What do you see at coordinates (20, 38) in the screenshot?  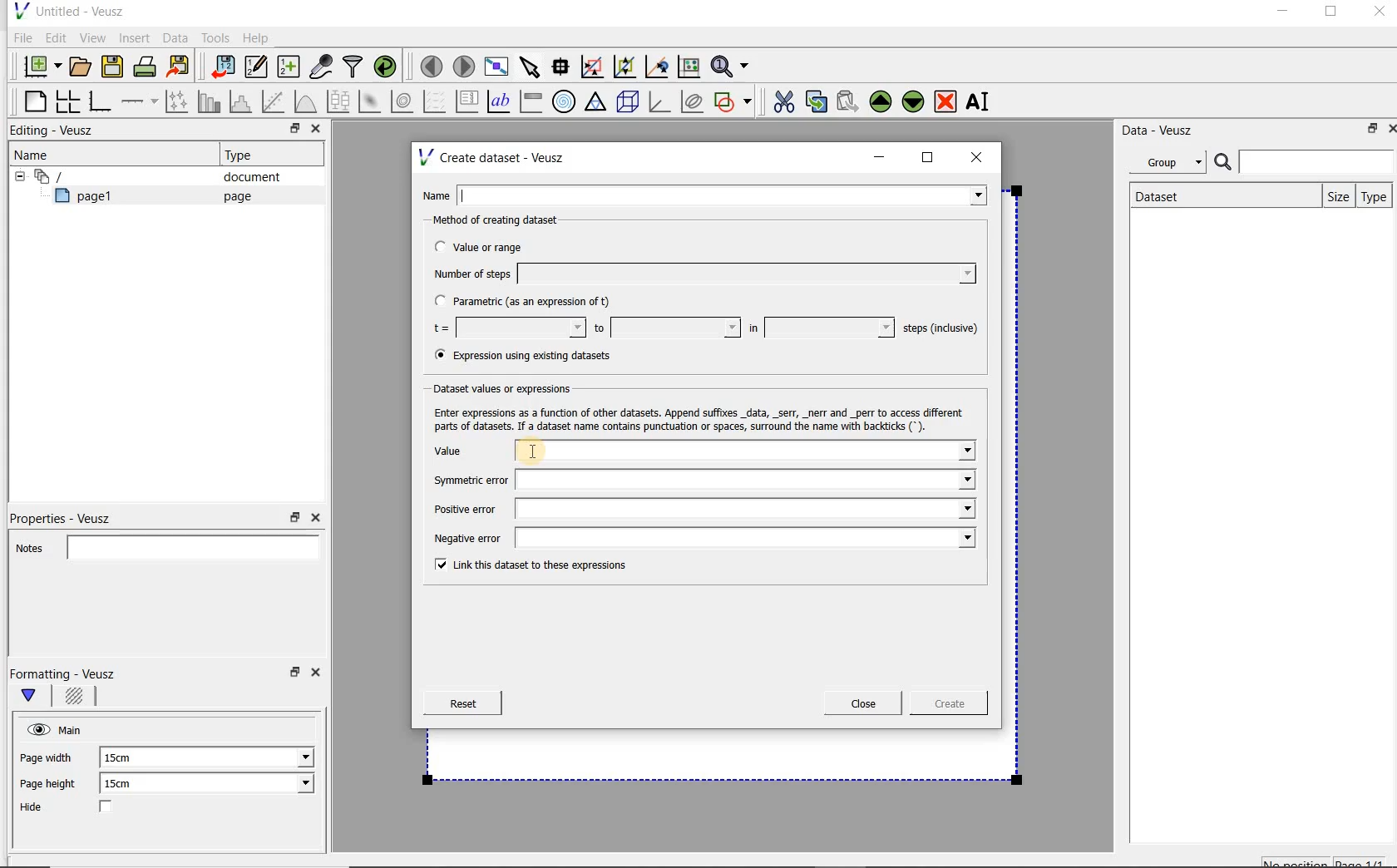 I see `File` at bounding box center [20, 38].